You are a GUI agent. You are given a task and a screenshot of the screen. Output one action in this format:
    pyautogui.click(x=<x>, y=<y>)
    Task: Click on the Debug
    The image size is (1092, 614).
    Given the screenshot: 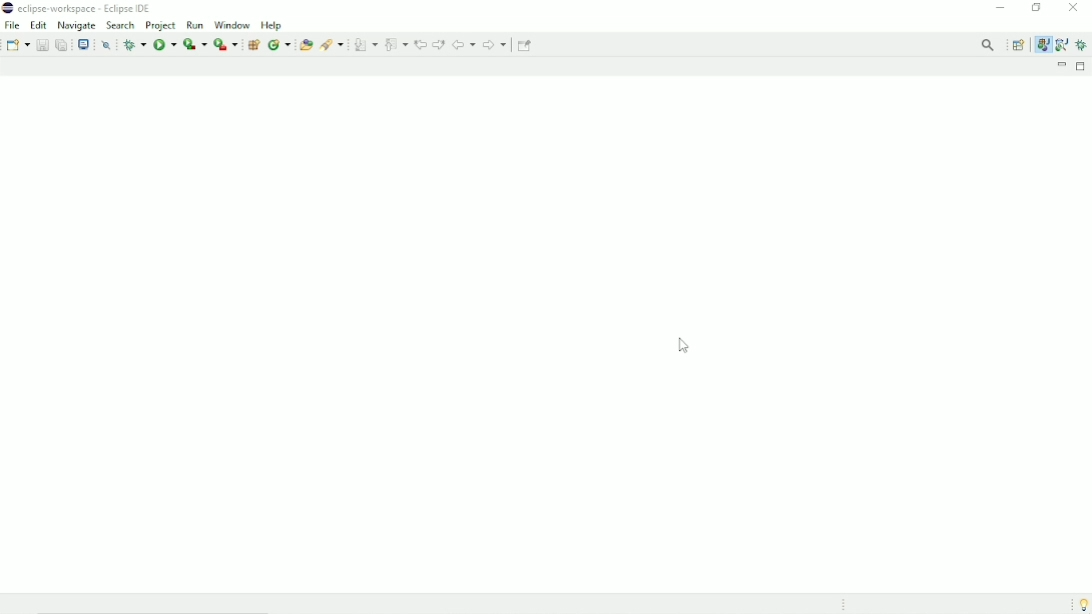 What is the action you would take?
    pyautogui.click(x=1083, y=46)
    